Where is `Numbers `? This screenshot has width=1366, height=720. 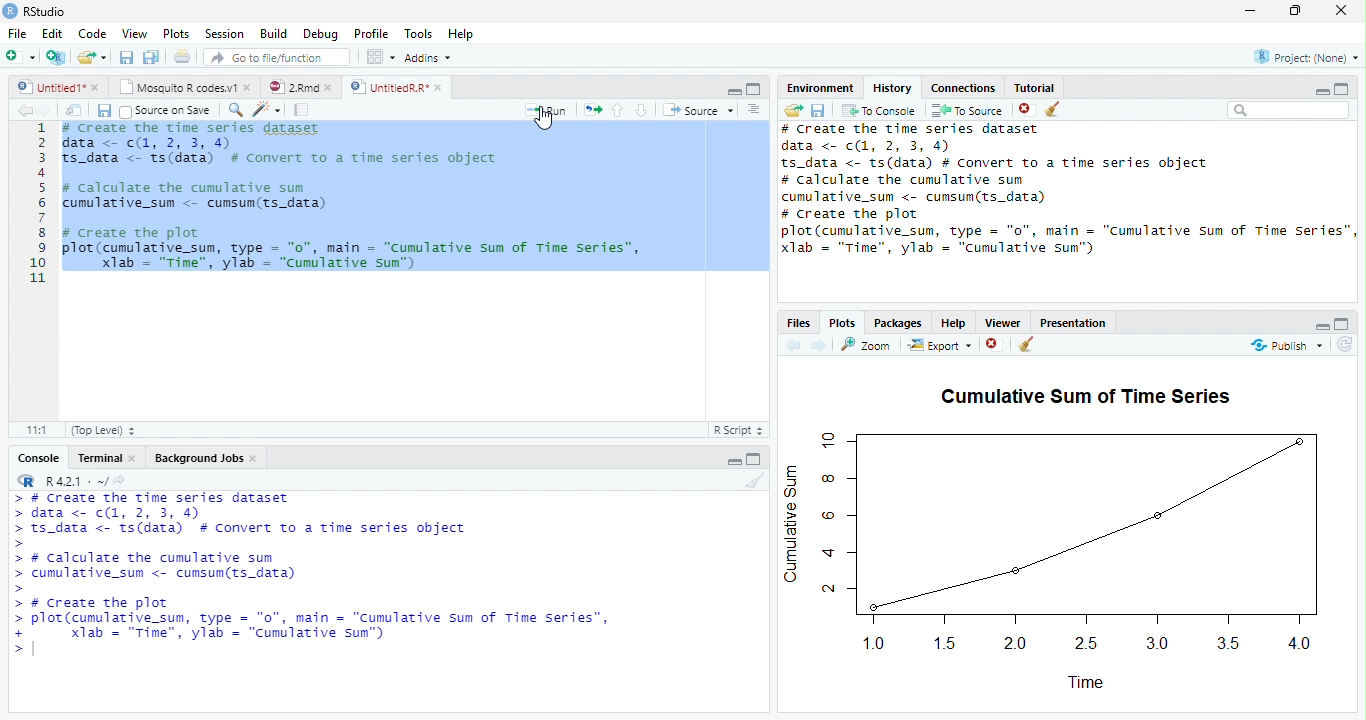 Numbers  is located at coordinates (40, 205).